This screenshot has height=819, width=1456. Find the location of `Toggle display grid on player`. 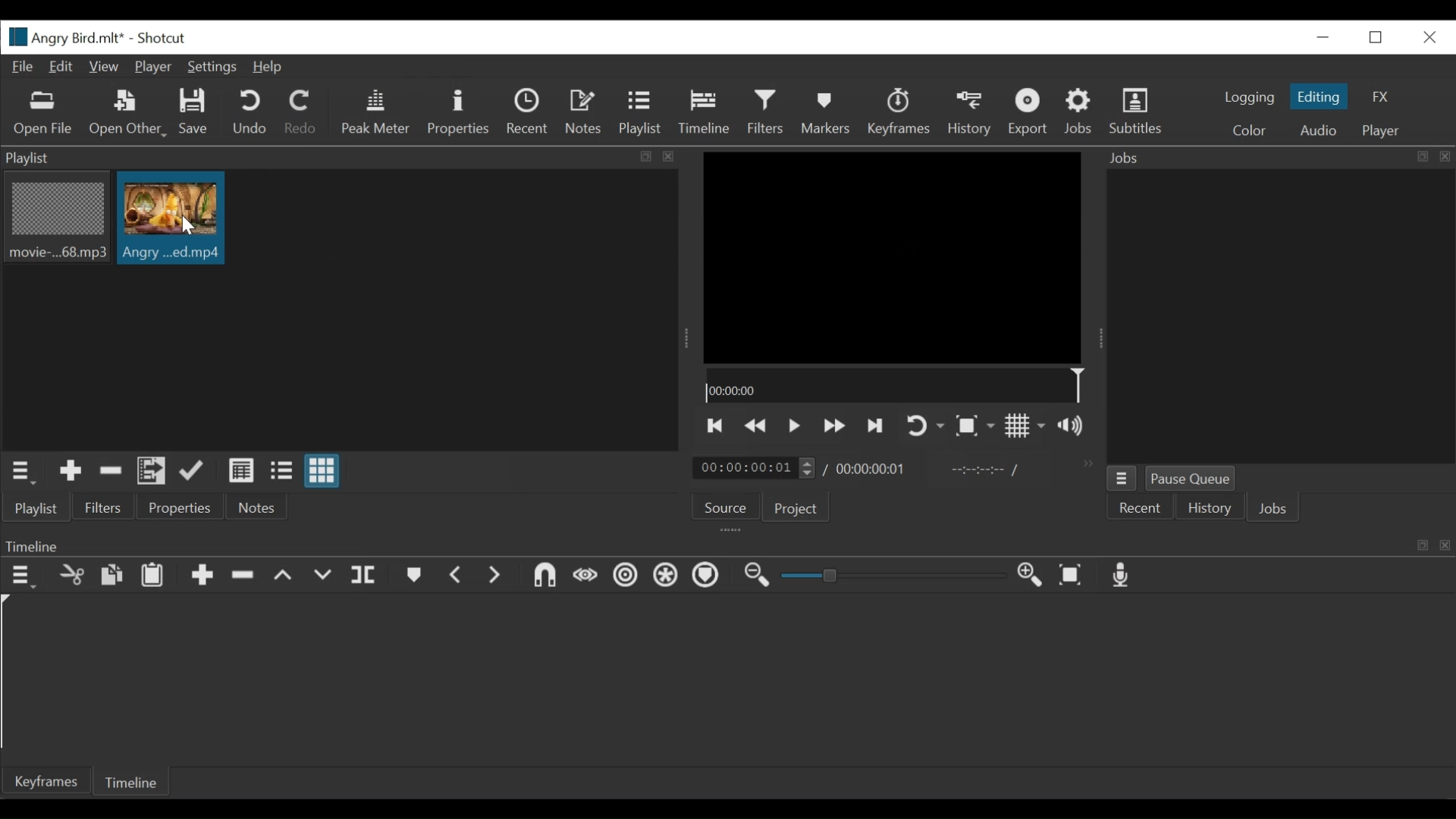

Toggle display grid on player is located at coordinates (1027, 427).